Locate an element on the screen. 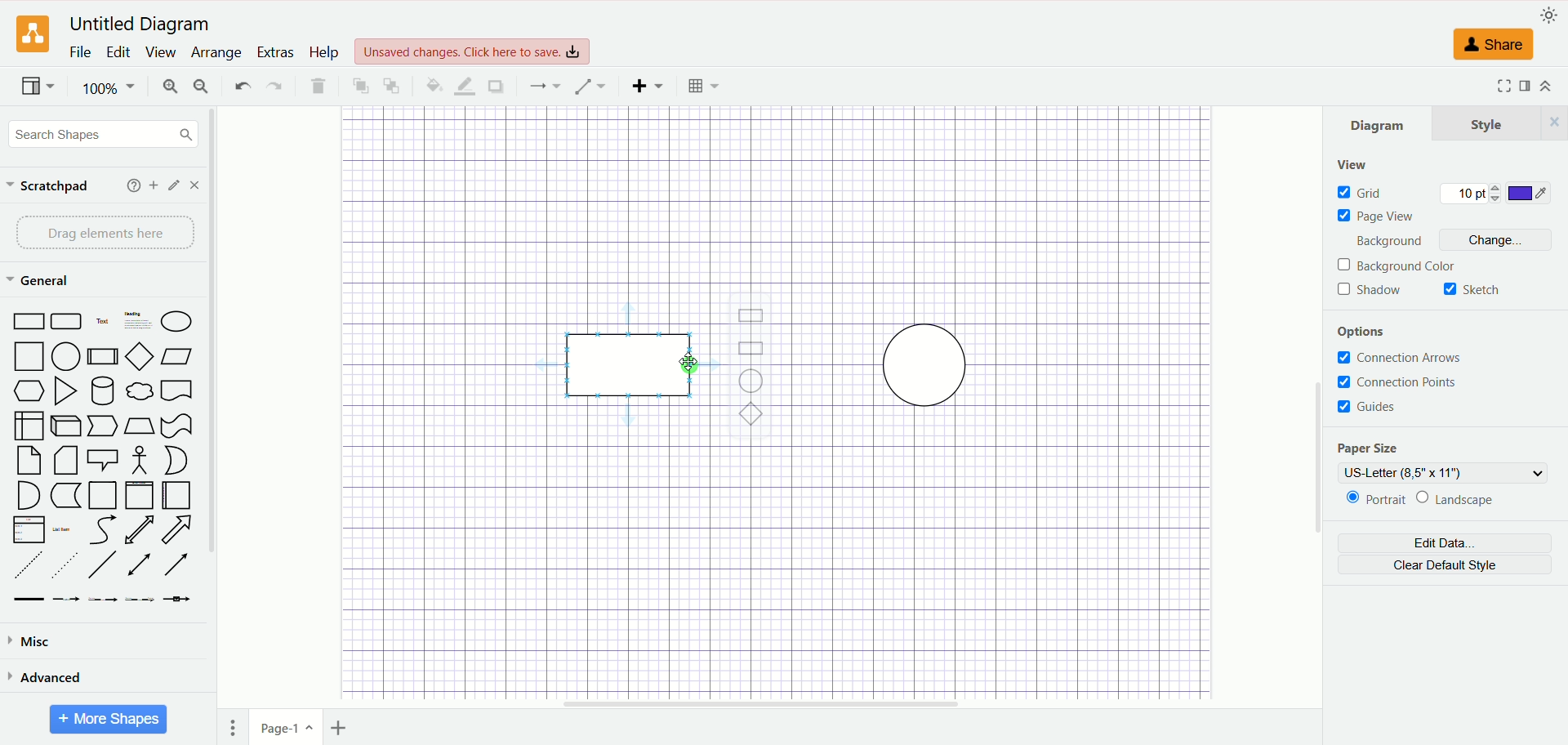 The width and height of the screenshot is (1568, 745). Fullscreen is located at coordinates (1500, 87).